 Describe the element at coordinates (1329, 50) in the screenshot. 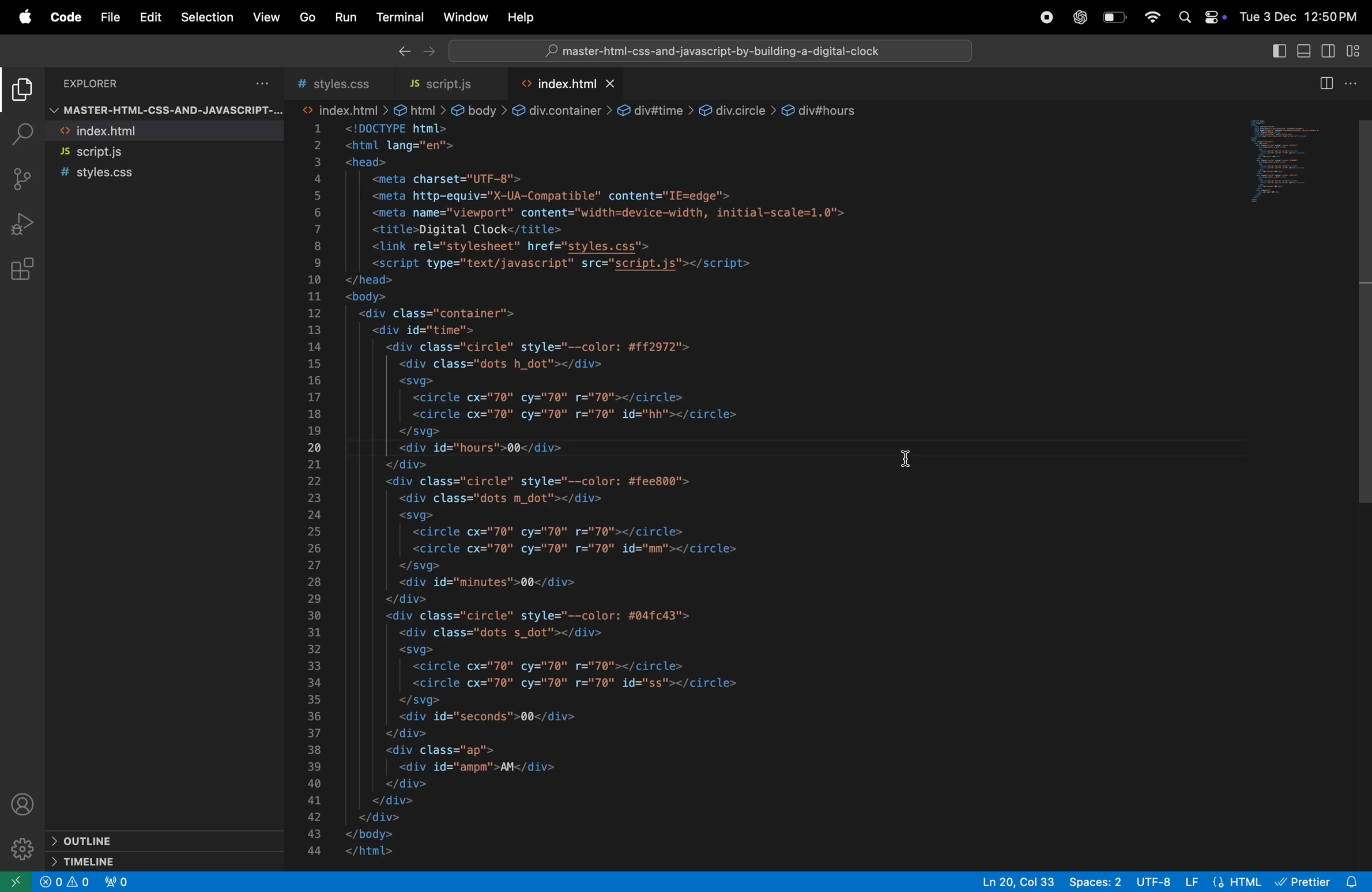

I see `toggle secondary window` at that location.